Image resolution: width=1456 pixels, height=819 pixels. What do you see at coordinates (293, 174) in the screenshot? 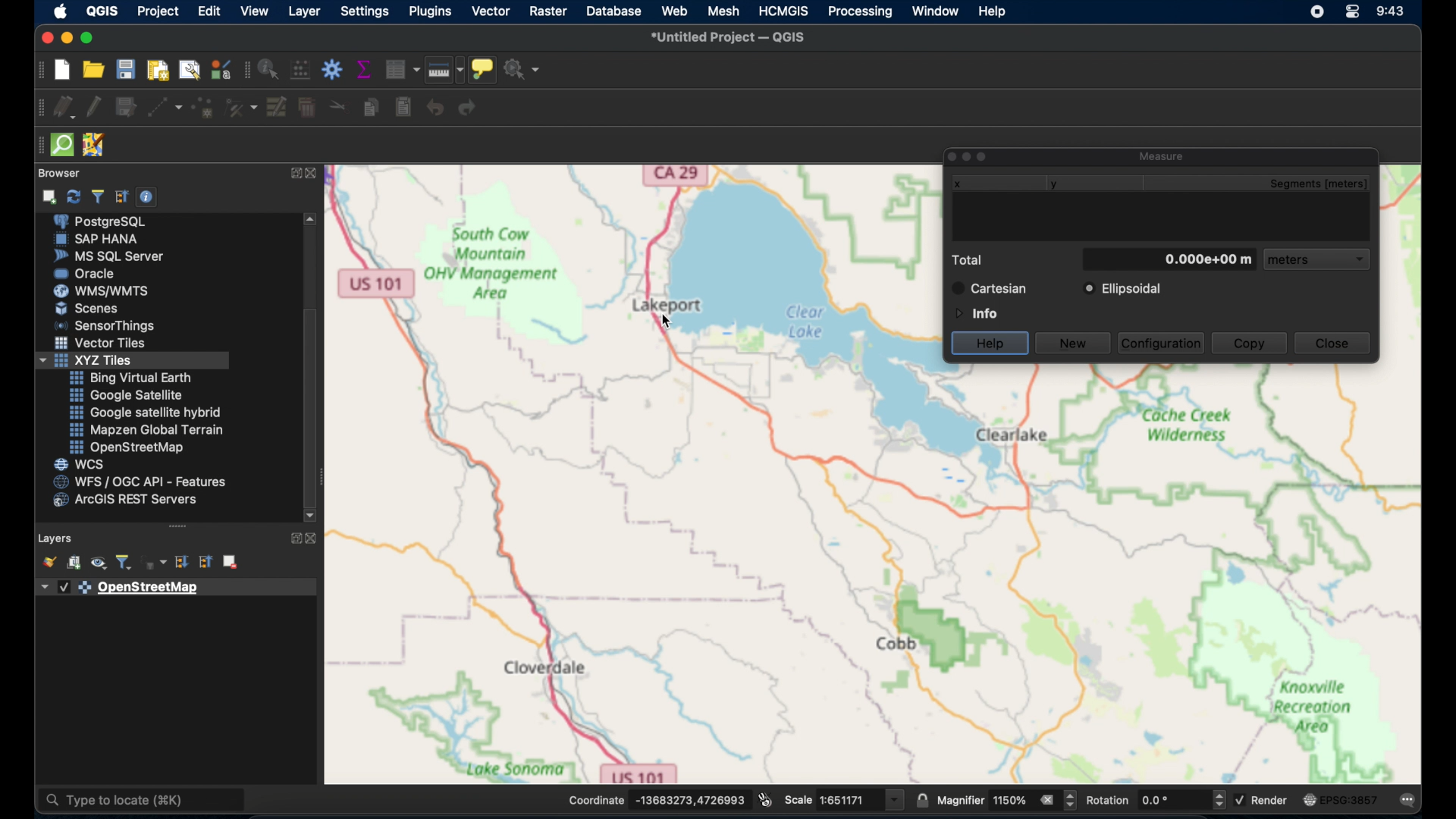
I see `expand` at bounding box center [293, 174].